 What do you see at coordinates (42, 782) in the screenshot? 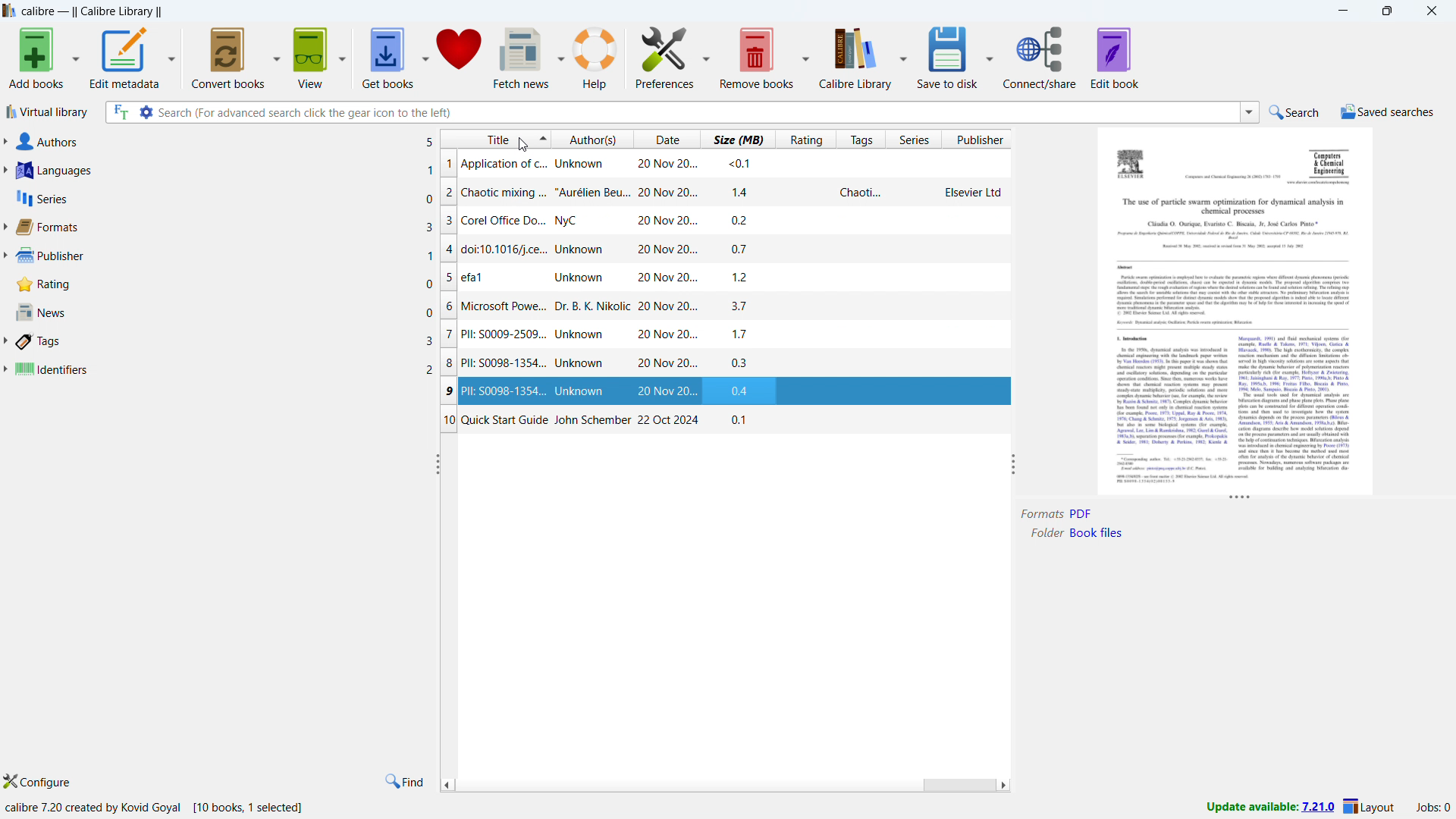
I see `configure` at bounding box center [42, 782].